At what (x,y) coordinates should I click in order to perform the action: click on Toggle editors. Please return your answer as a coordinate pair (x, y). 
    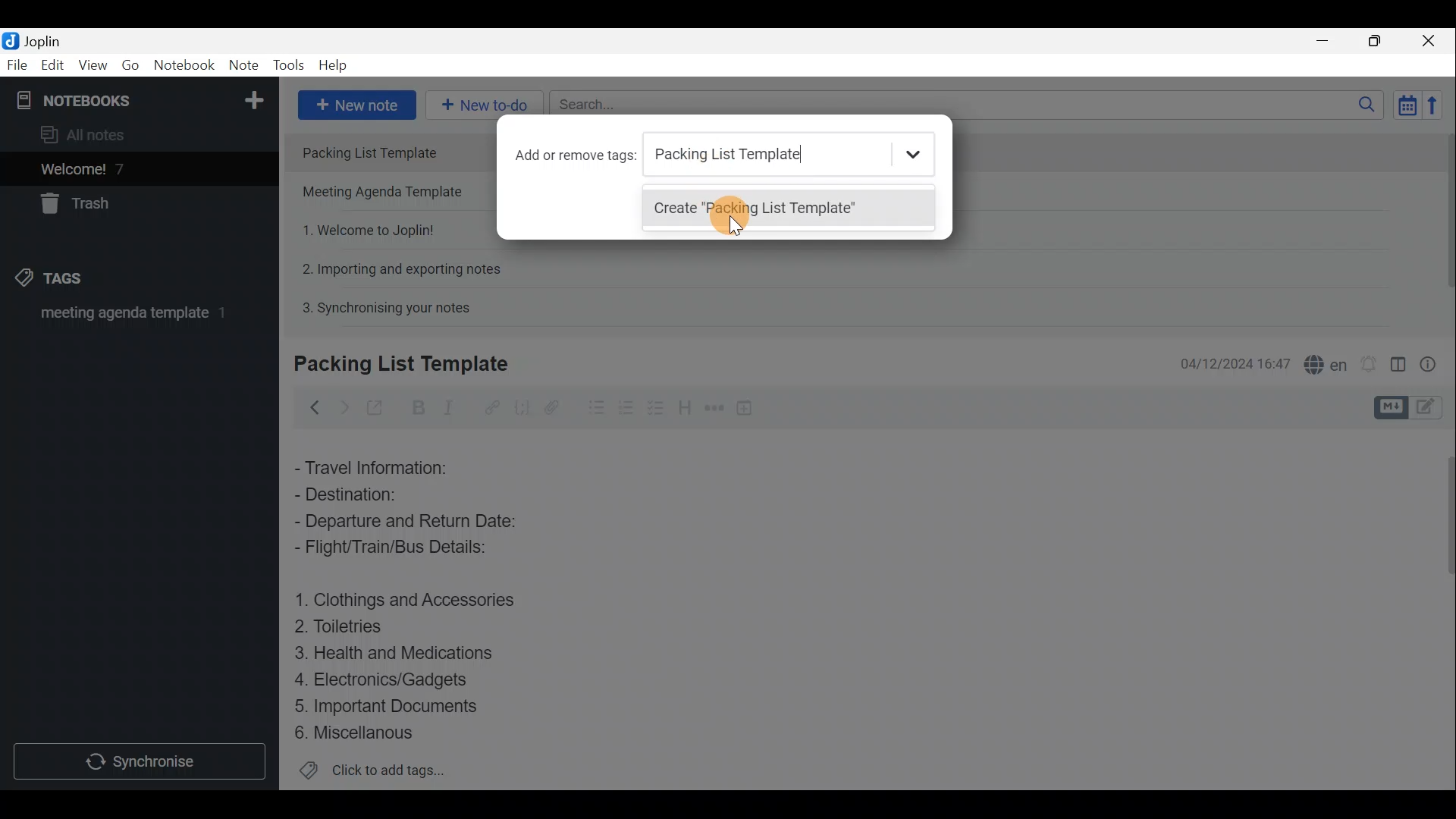
    Looking at the image, I should click on (1393, 406).